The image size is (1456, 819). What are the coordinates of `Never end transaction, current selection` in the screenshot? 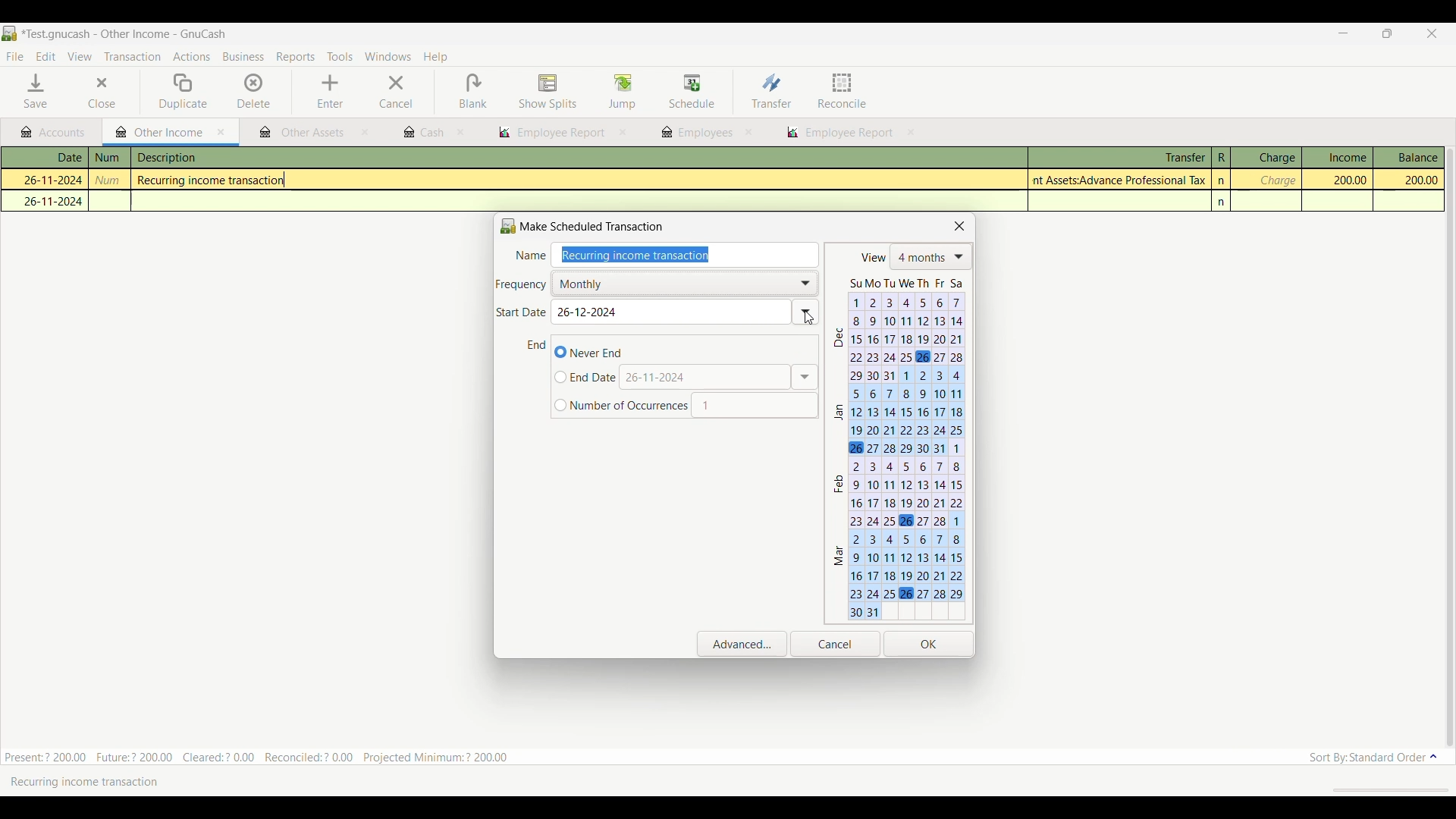 It's located at (588, 352).